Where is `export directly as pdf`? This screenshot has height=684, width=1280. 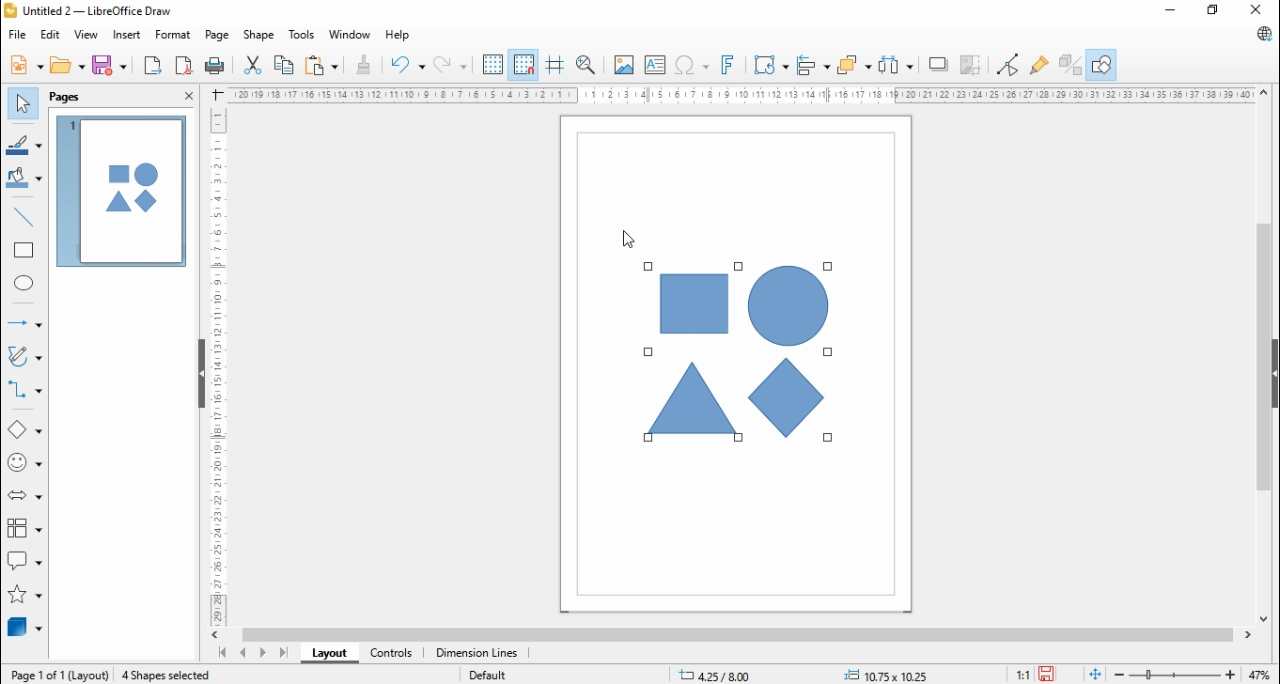 export directly as pdf is located at coordinates (183, 65).